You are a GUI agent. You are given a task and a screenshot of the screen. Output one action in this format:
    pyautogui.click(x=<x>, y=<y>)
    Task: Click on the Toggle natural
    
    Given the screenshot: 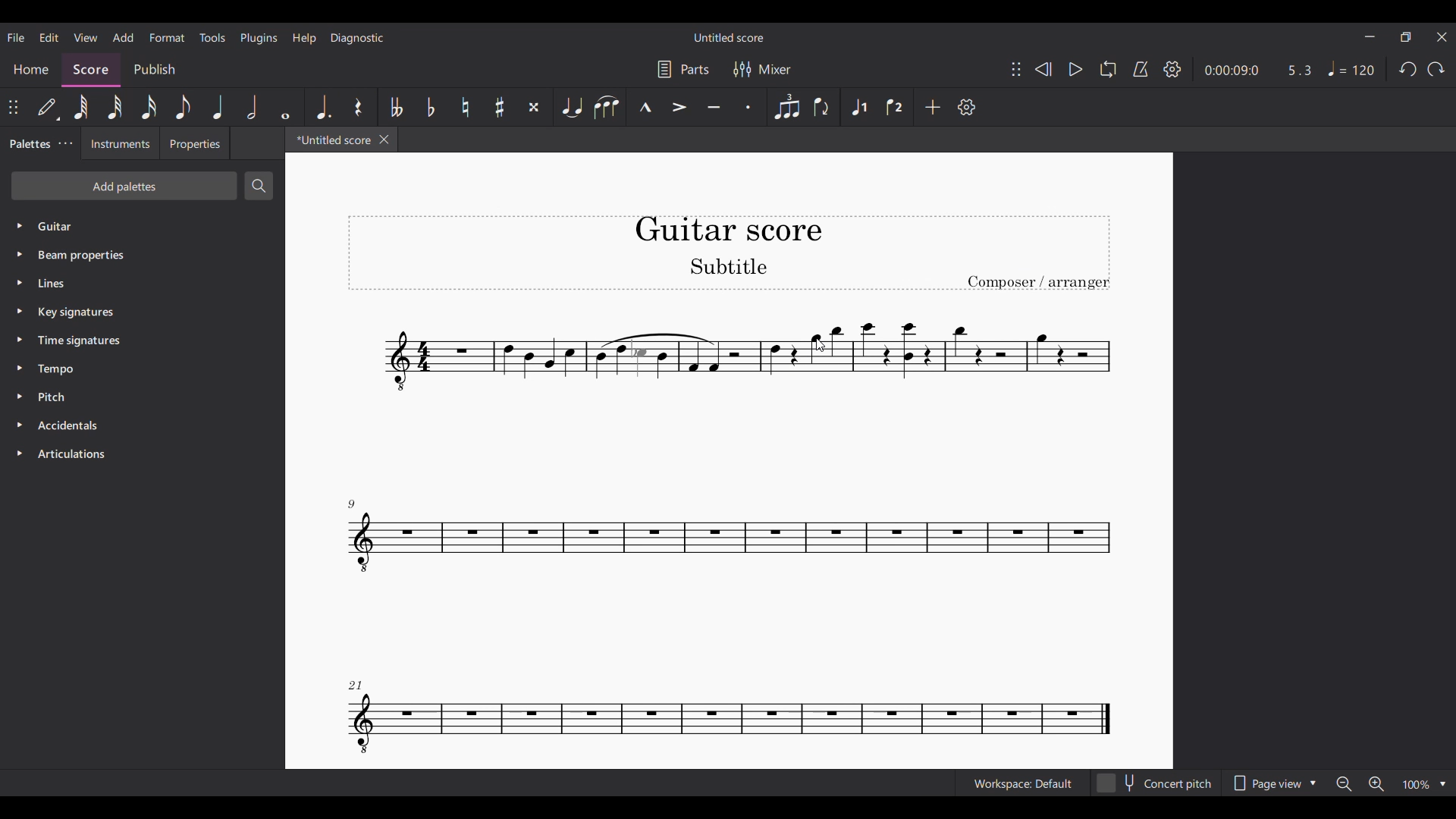 What is the action you would take?
    pyautogui.click(x=465, y=107)
    